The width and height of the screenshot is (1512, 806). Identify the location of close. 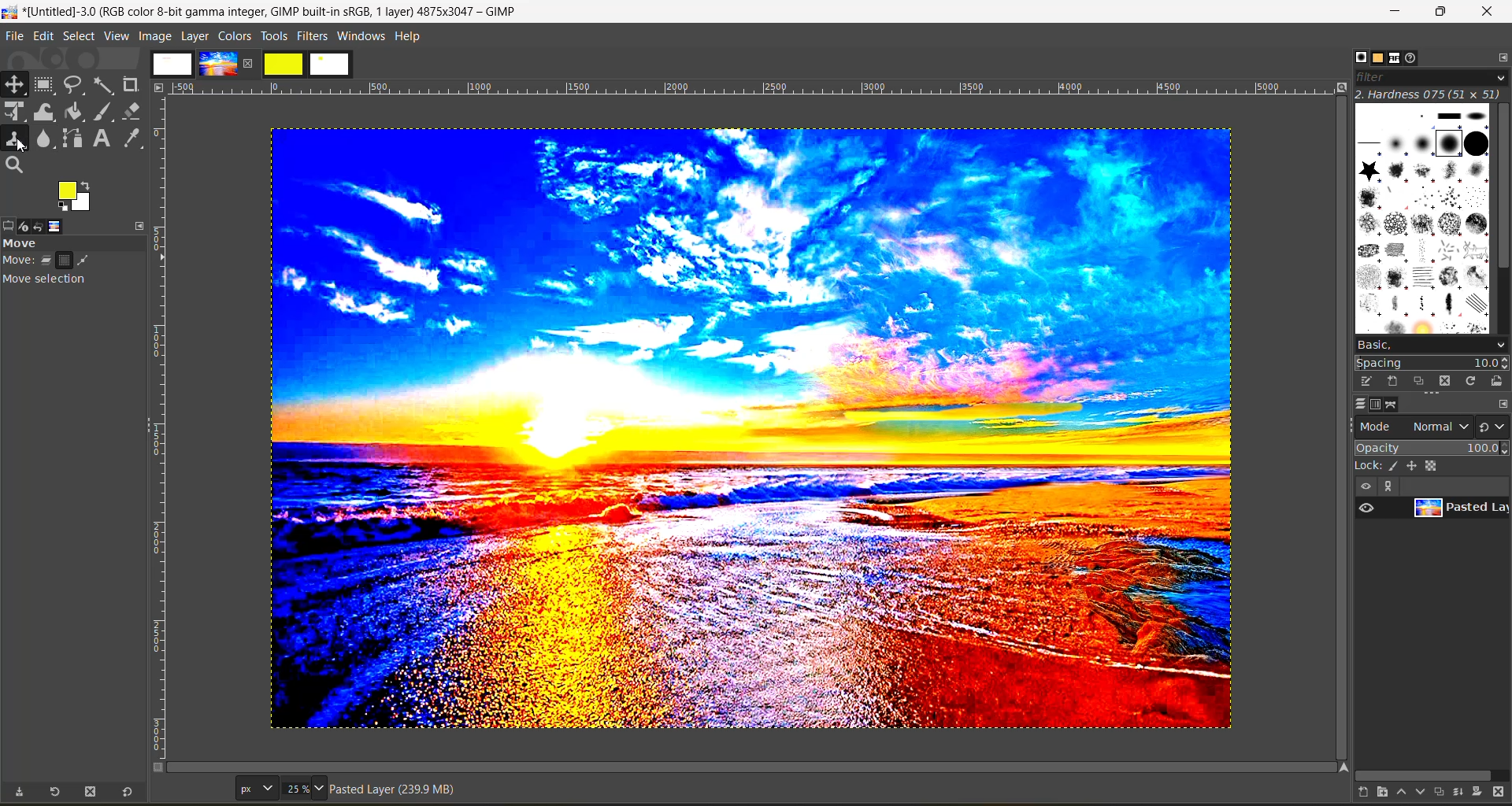
(1487, 14).